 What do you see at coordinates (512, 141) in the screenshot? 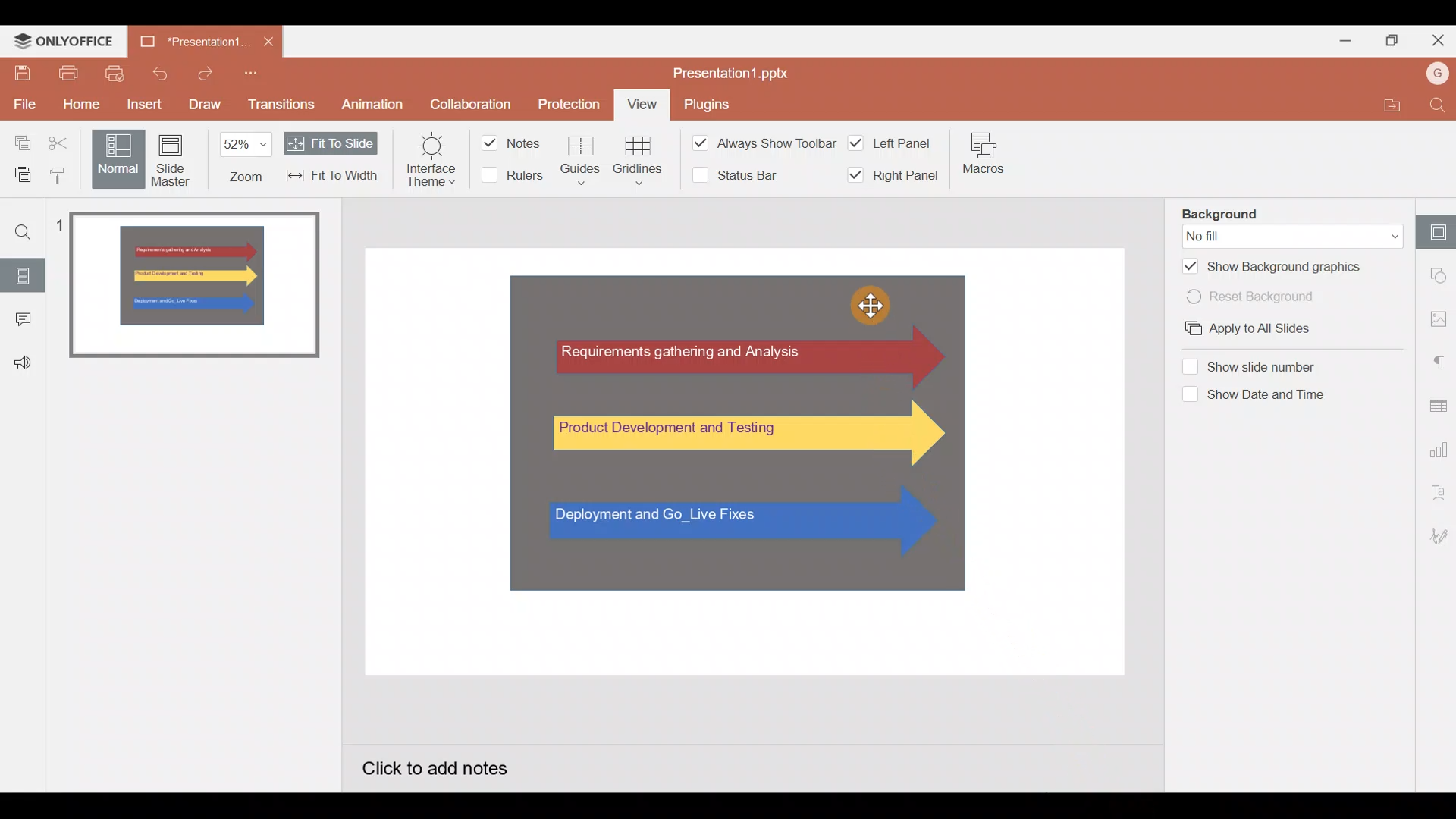
I see `Notes` at bounding box center [512, 141].